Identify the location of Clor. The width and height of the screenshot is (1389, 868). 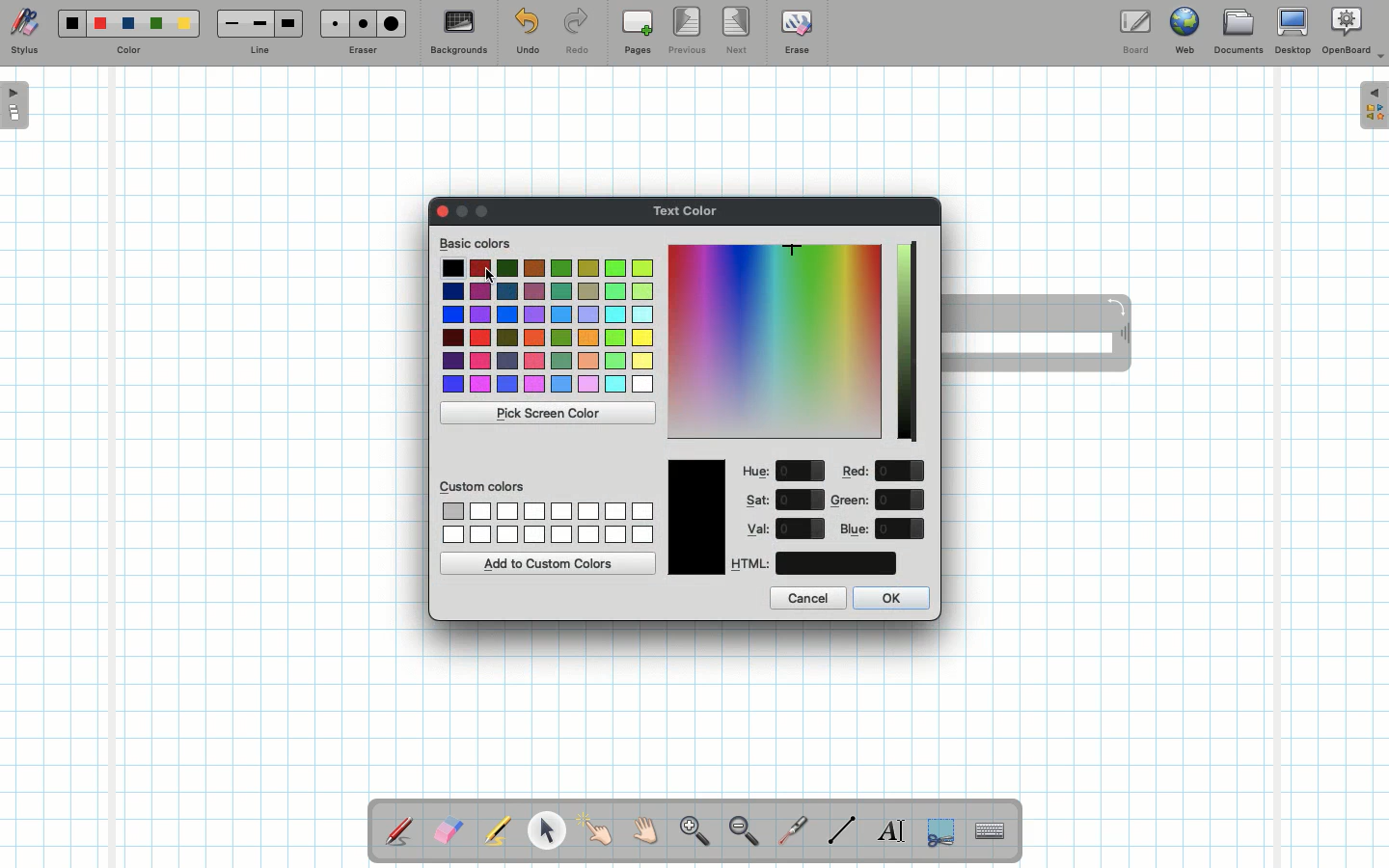
(437, 210).